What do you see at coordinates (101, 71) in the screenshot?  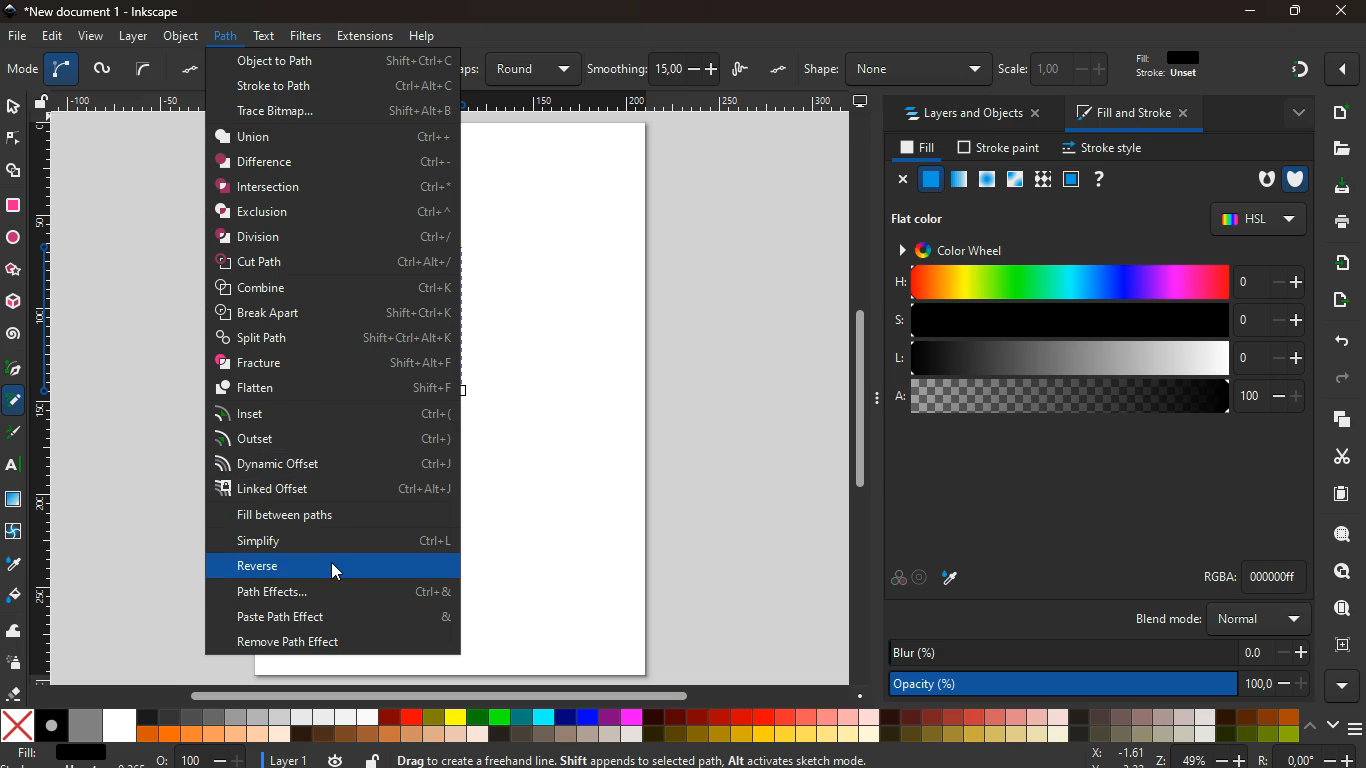 I see `worm` at bounding box center [101, 71].